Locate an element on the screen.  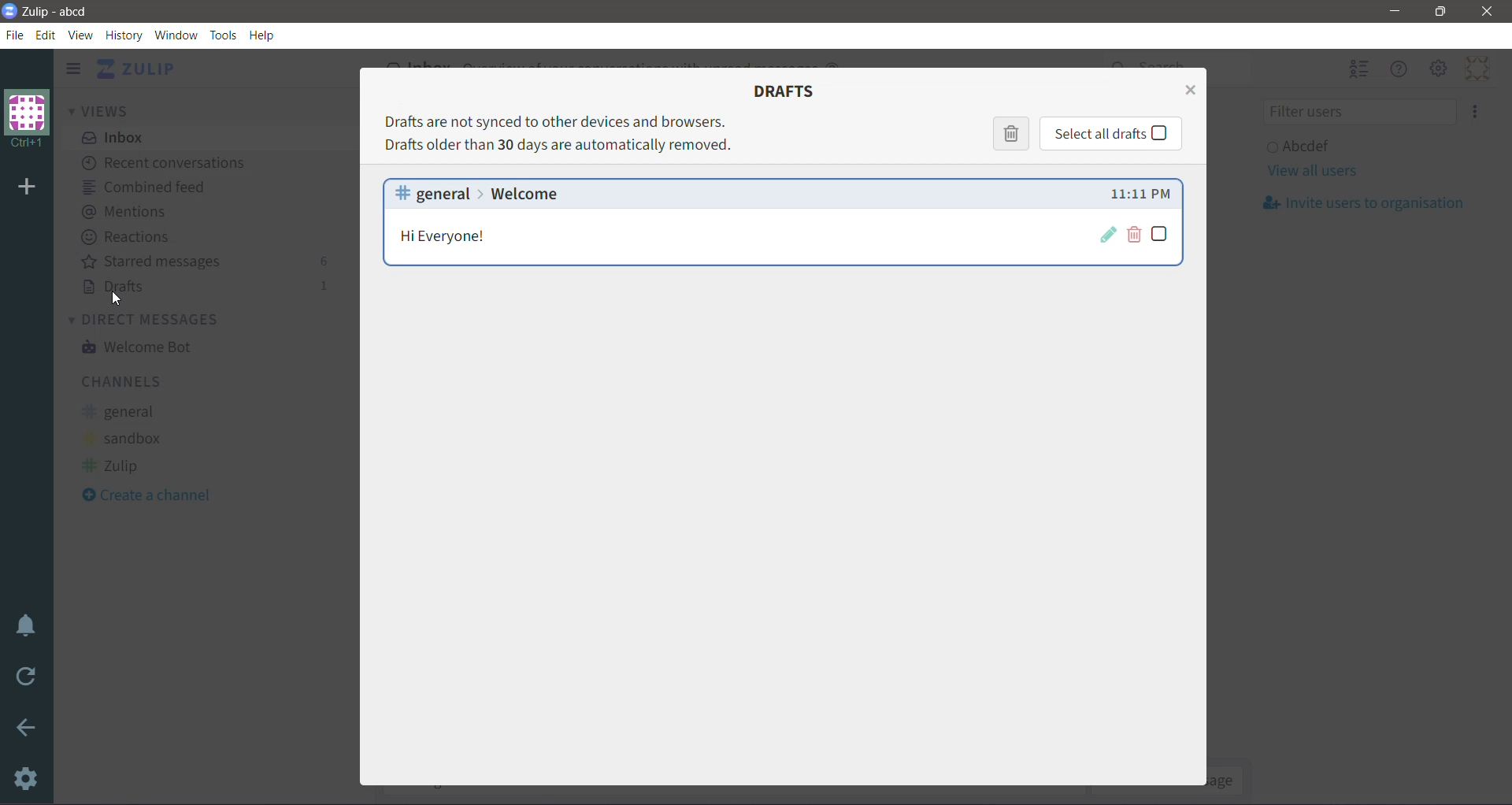
Restore draft is located at coordinates (1106, 235).